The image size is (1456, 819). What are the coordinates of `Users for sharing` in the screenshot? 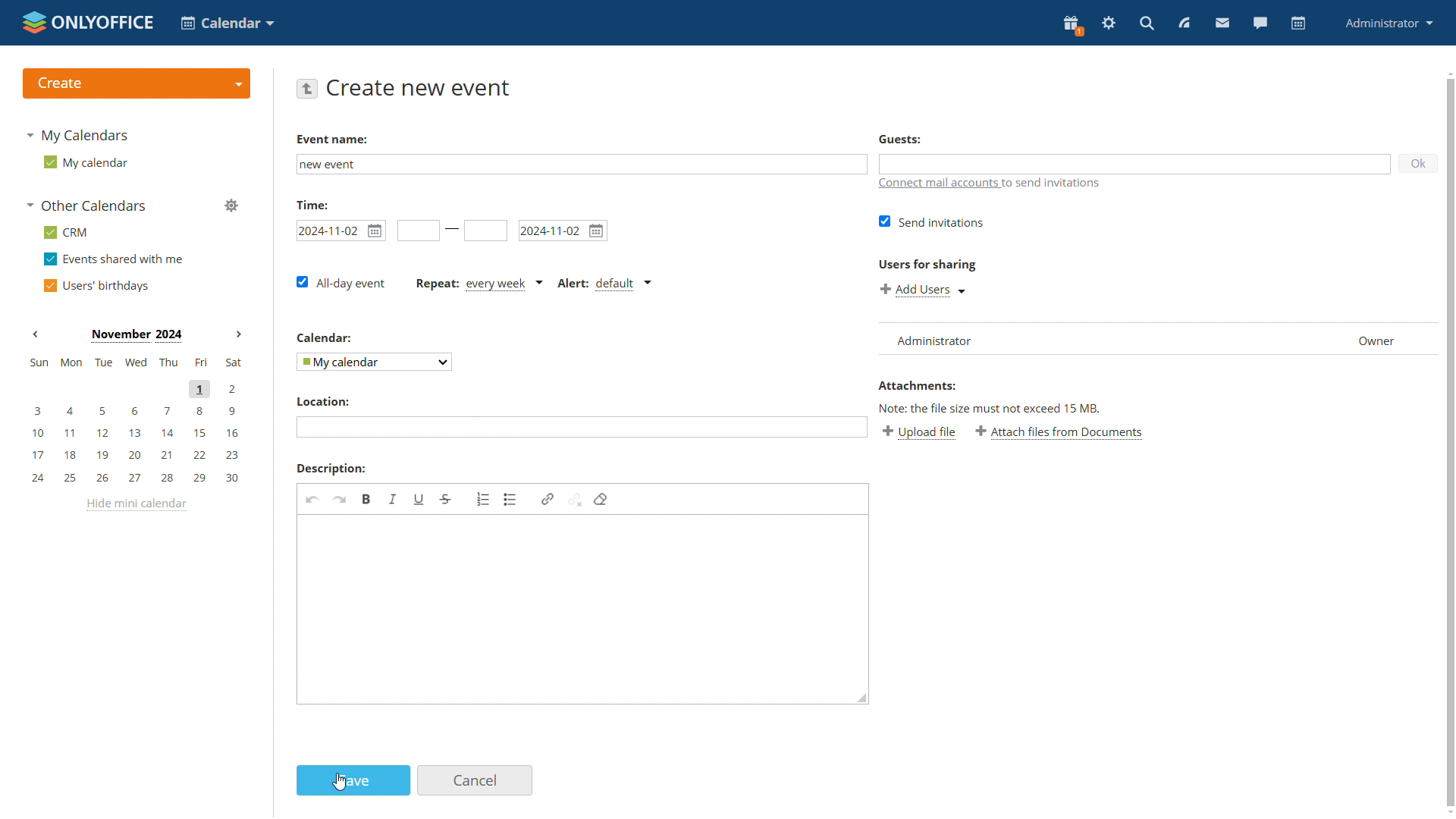 It's located at (925, 262).